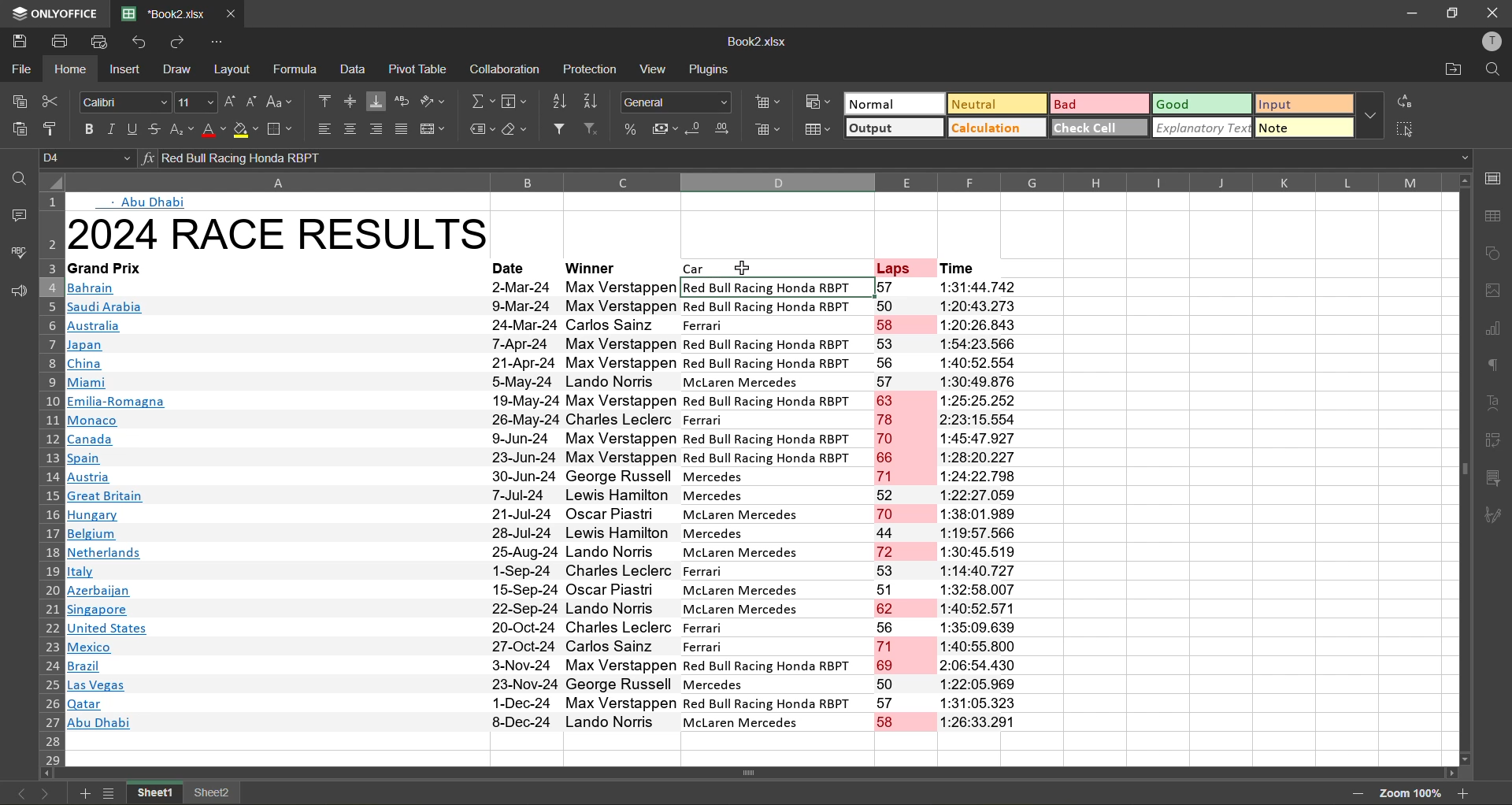  What do you see at coordinates (198, 102) in the screenshot?
I see `font size` at bounding box center [198, 102].